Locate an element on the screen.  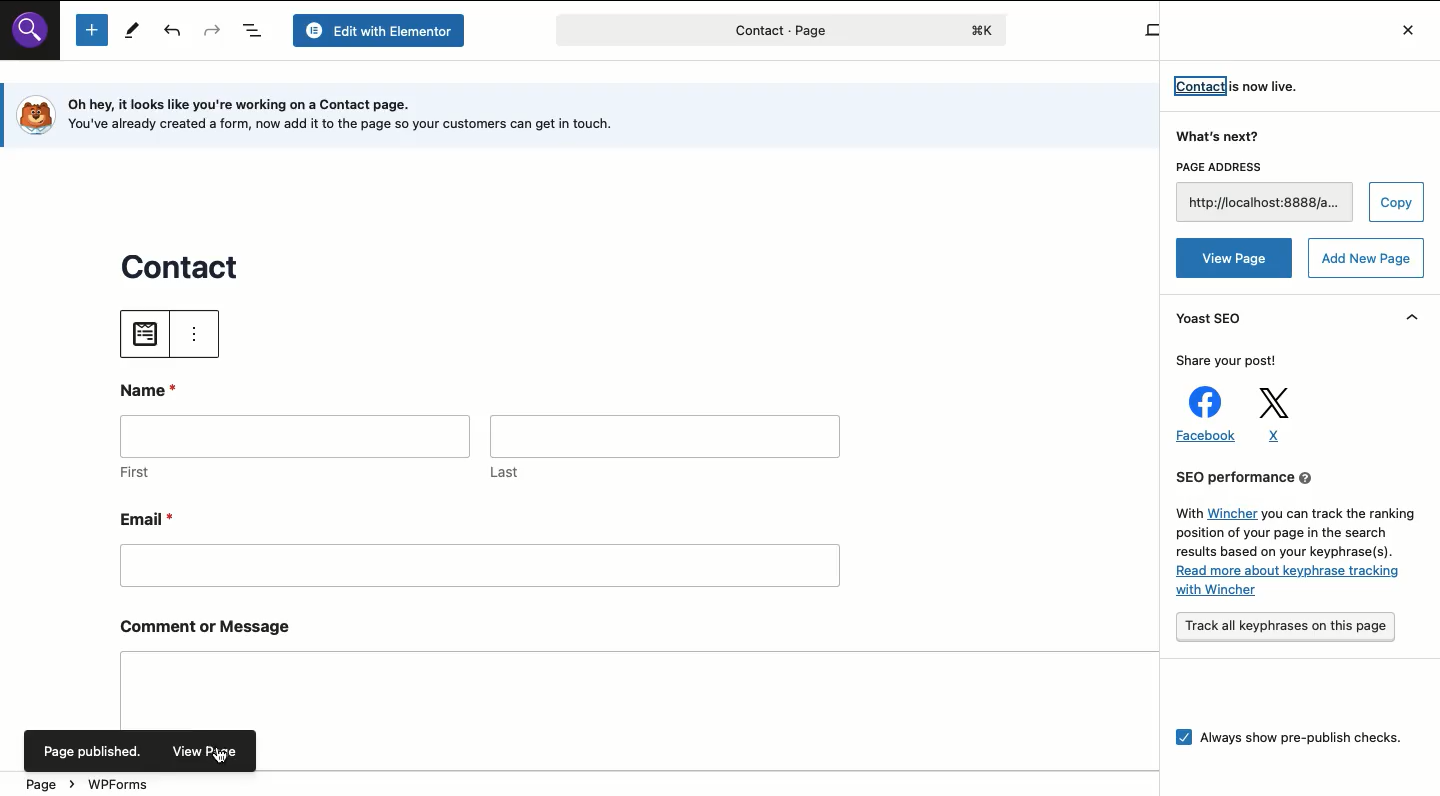
 Always show pre-publish checks. is located at coordinates (1292, 744).